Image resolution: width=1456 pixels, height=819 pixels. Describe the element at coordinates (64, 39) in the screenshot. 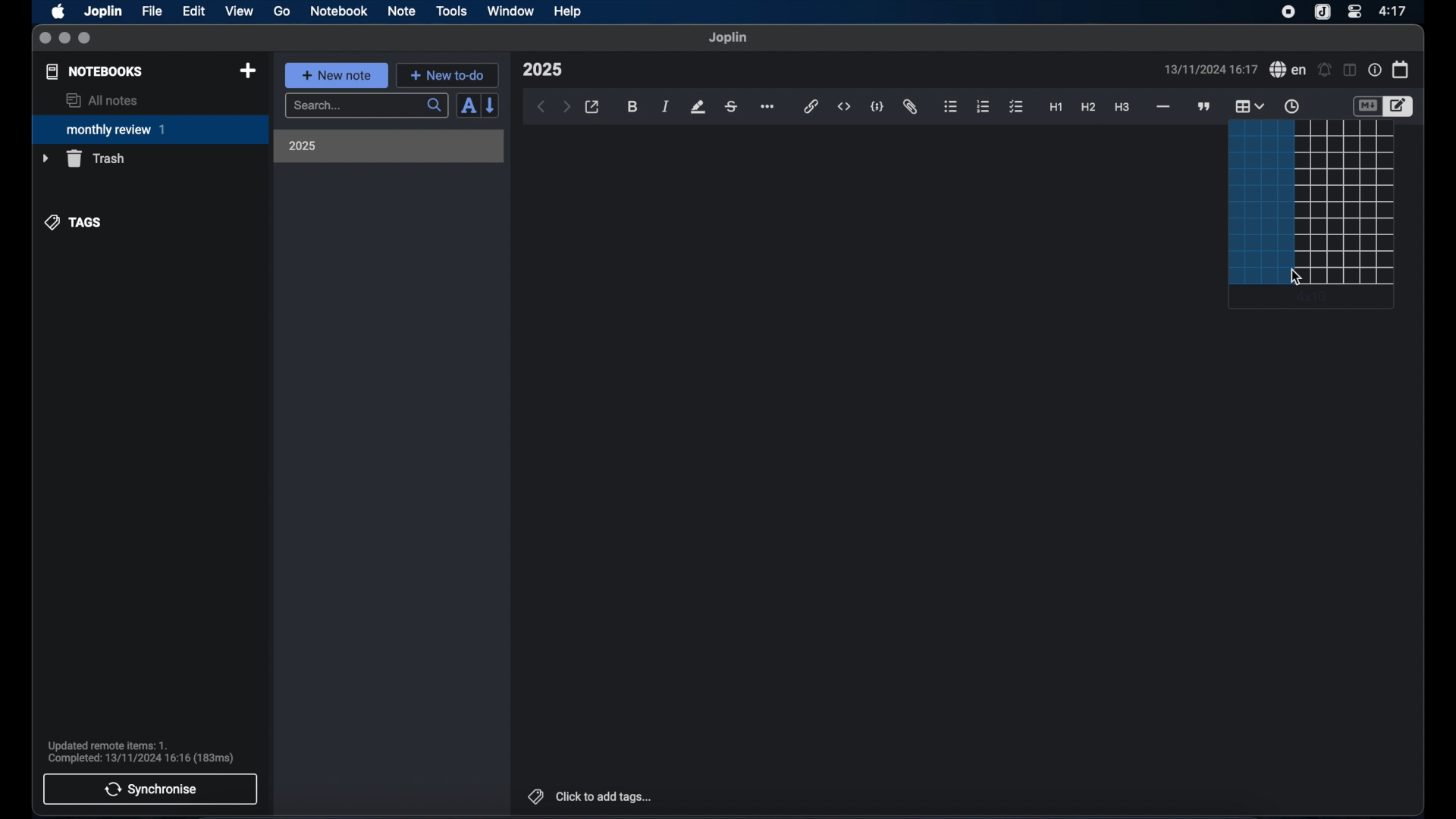

I see `minimize` at that location.